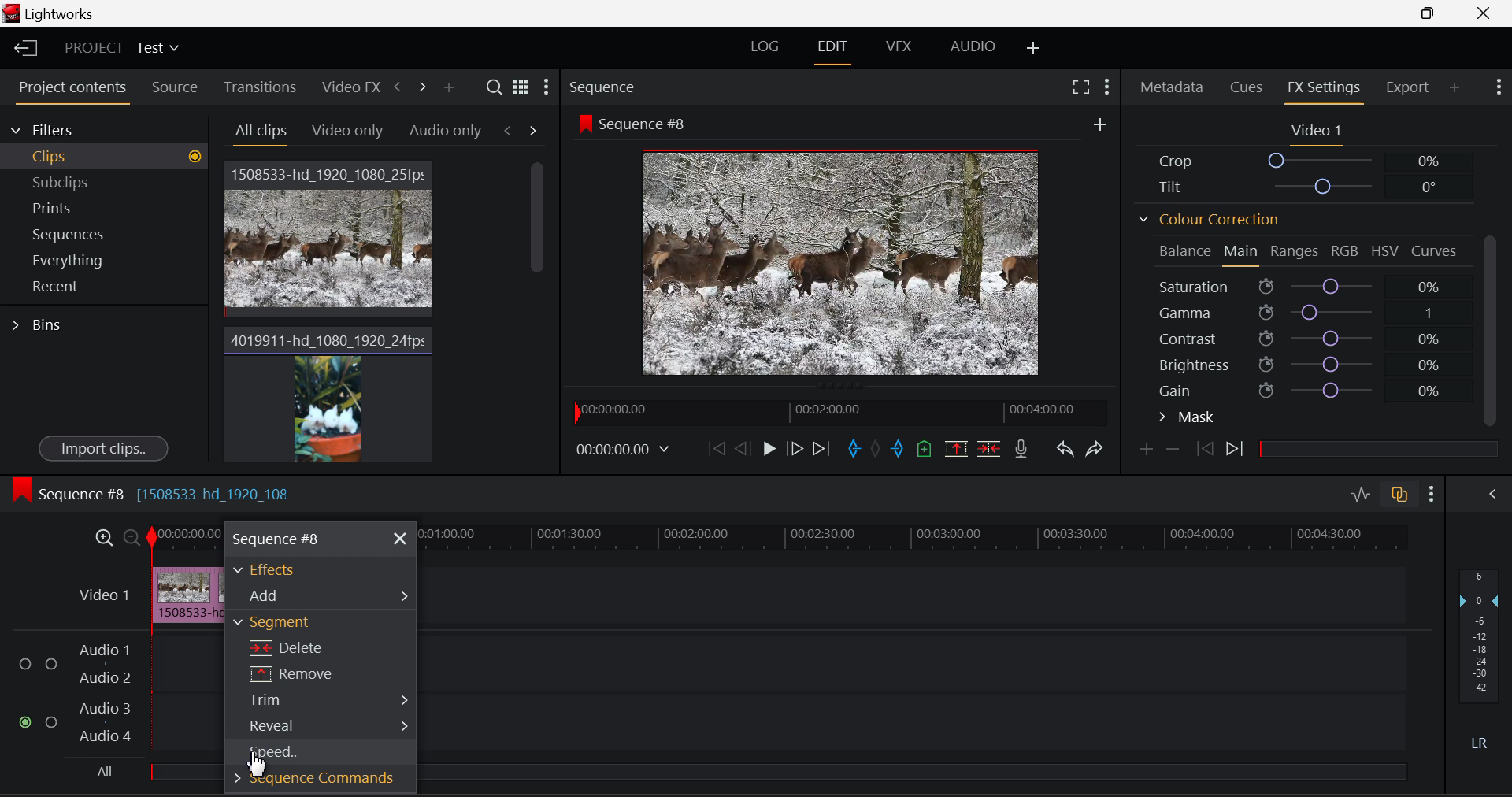  What do you see at coordinates (262, 87) in the screenshot?
I see `Transitions Tab` at bounding box center [262, 87].